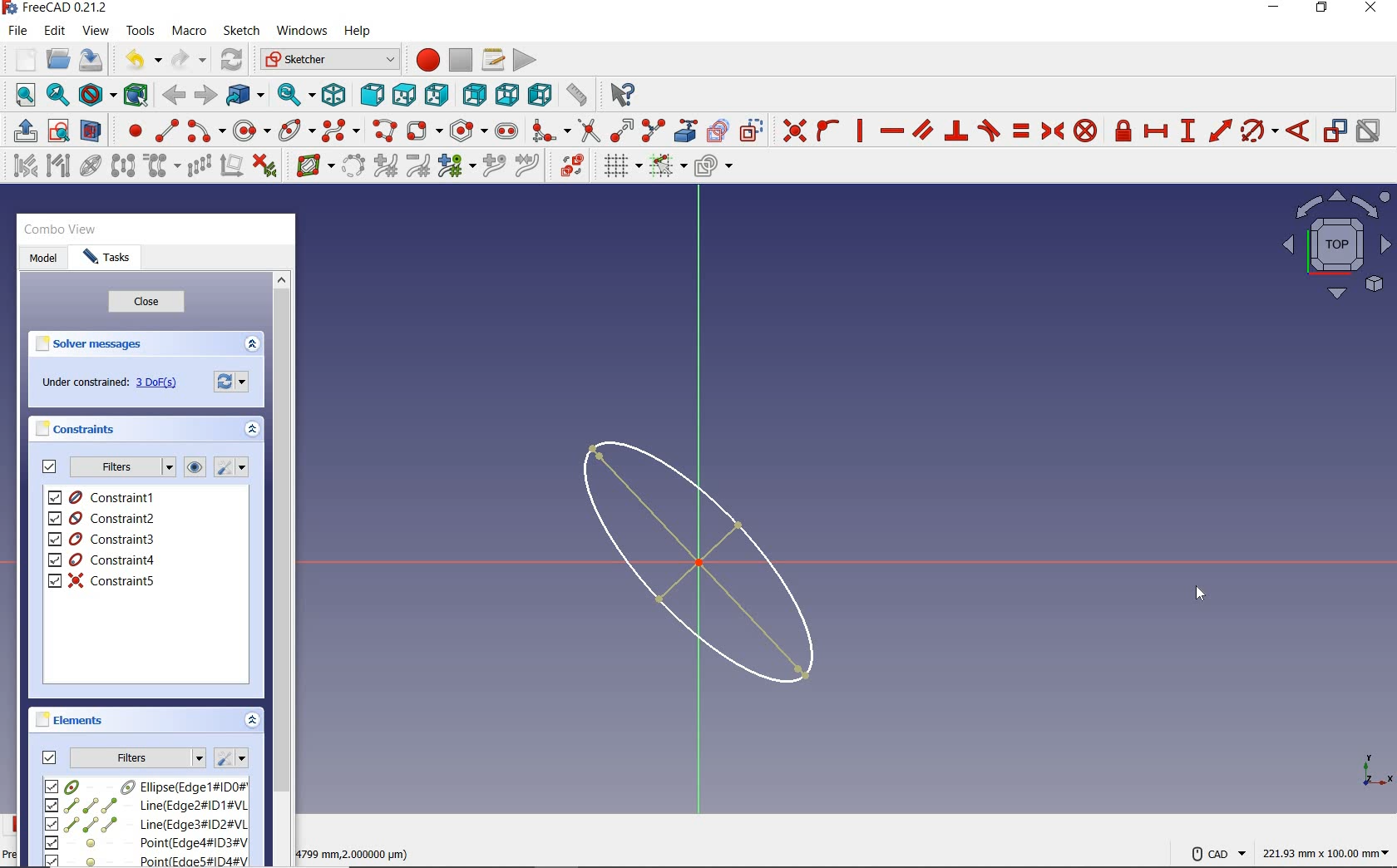 The image size is (1397, 868). What do you see at coordinates (329, 60) in the screenshot?
I see `switch between workbenches` at bounding box center [329, 60].